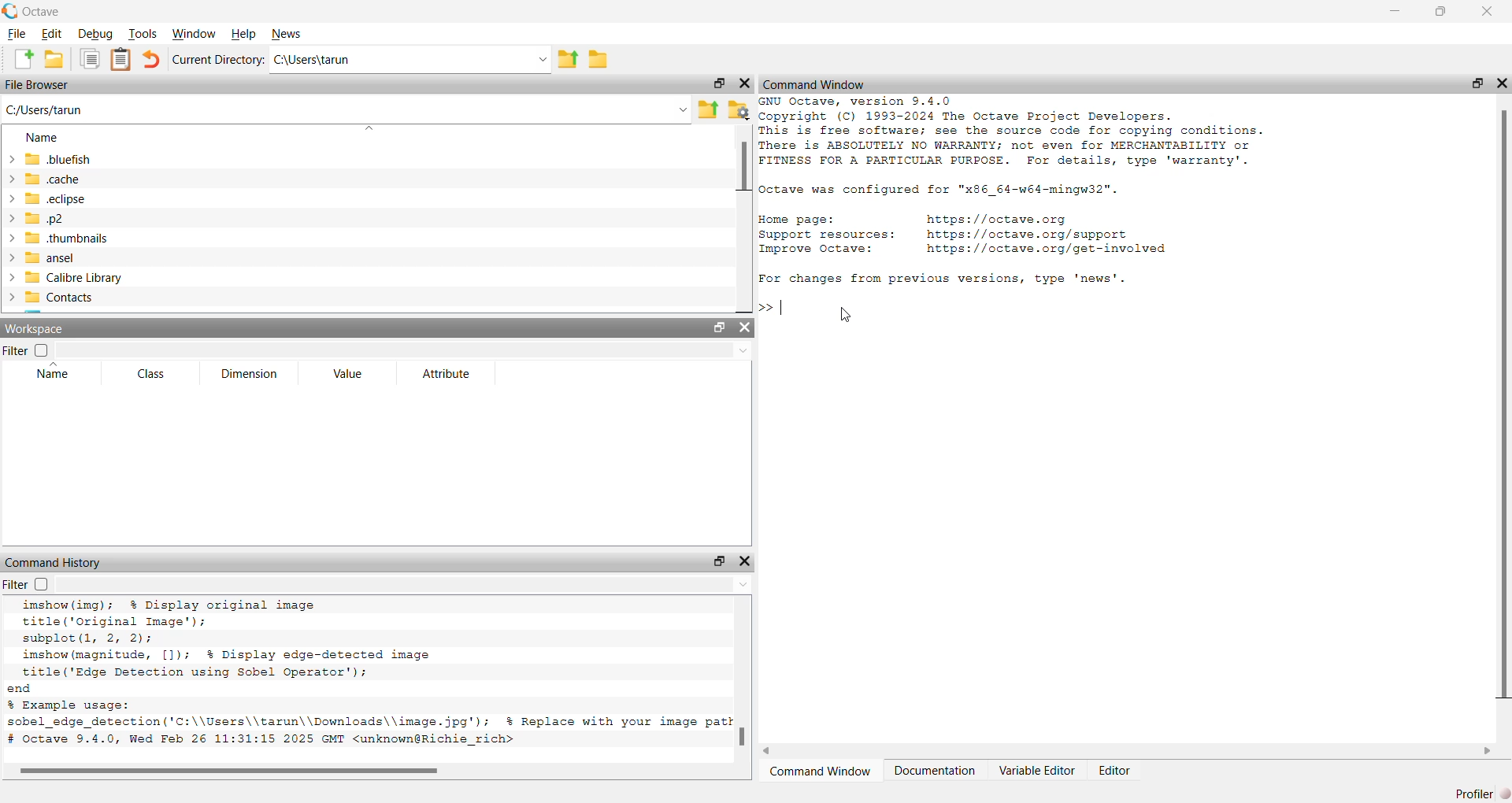  What do you see at coordinates (54, 563) in the screenshot?
I see `Command History` at bounding box center [54, 563].